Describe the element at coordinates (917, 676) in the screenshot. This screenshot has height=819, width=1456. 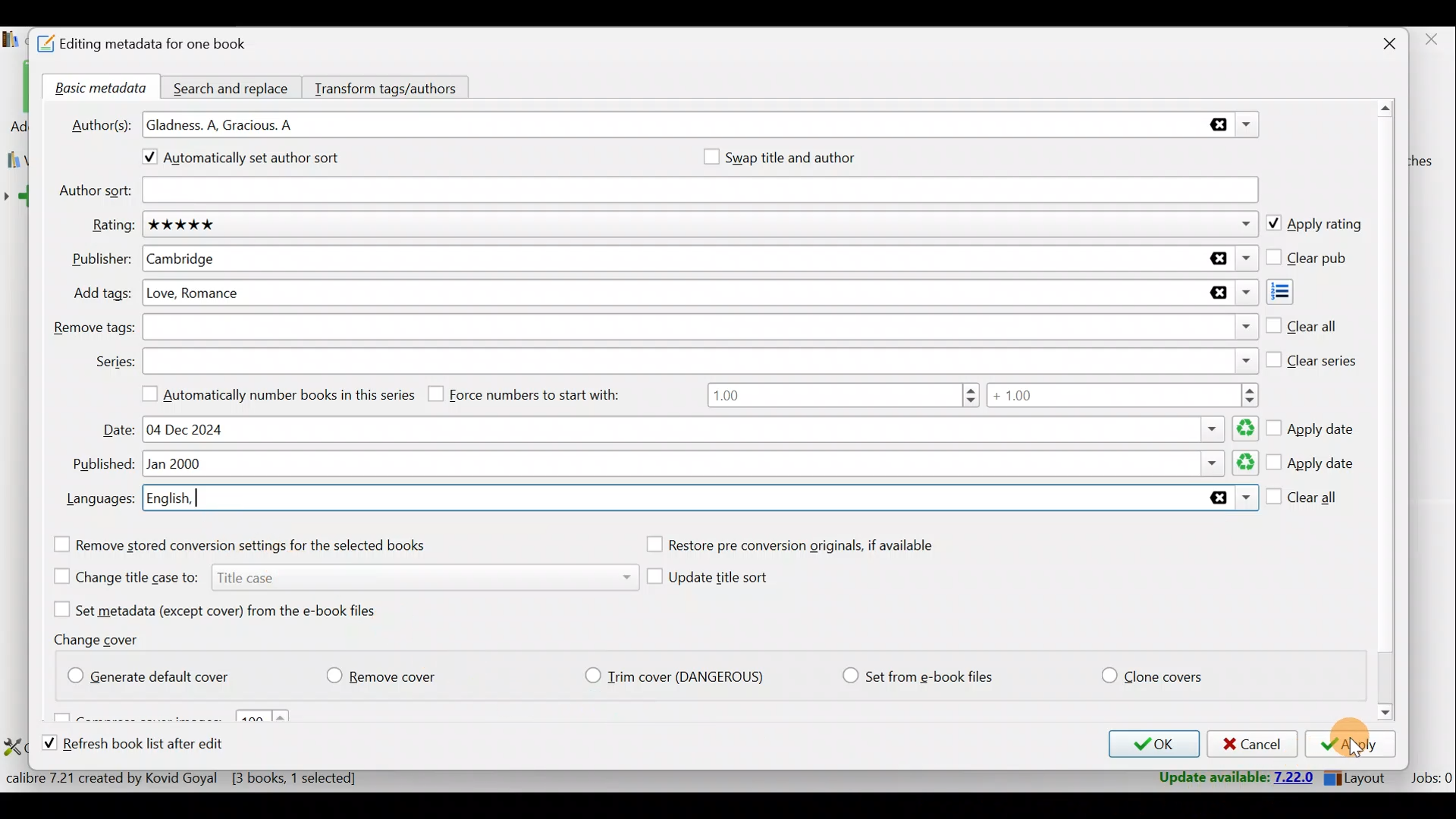
I see `Set from e-book files` at that location.